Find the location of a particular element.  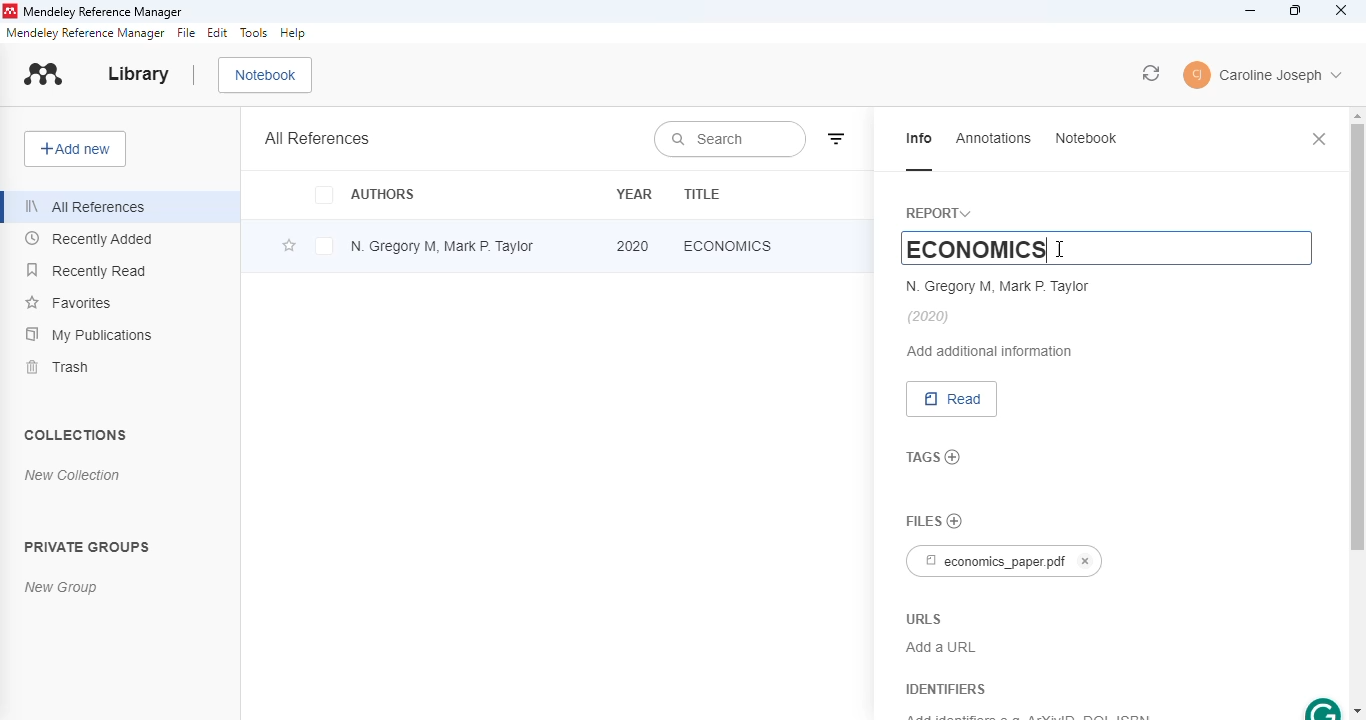

logo is located at coordinates (10, 11).